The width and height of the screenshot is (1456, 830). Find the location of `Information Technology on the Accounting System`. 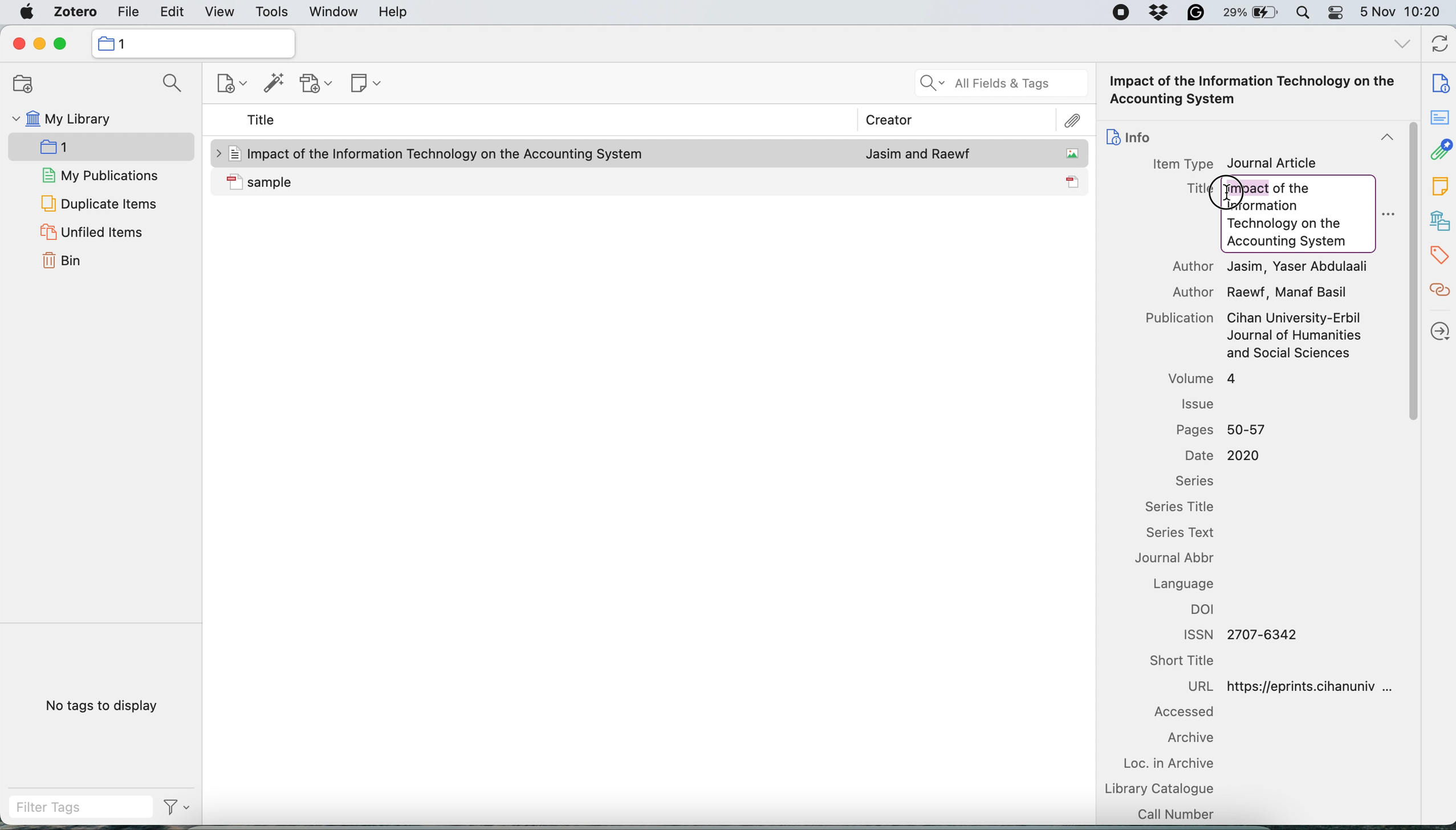

Information Technology on the Accounting System is located at coordinates (1290, 226).